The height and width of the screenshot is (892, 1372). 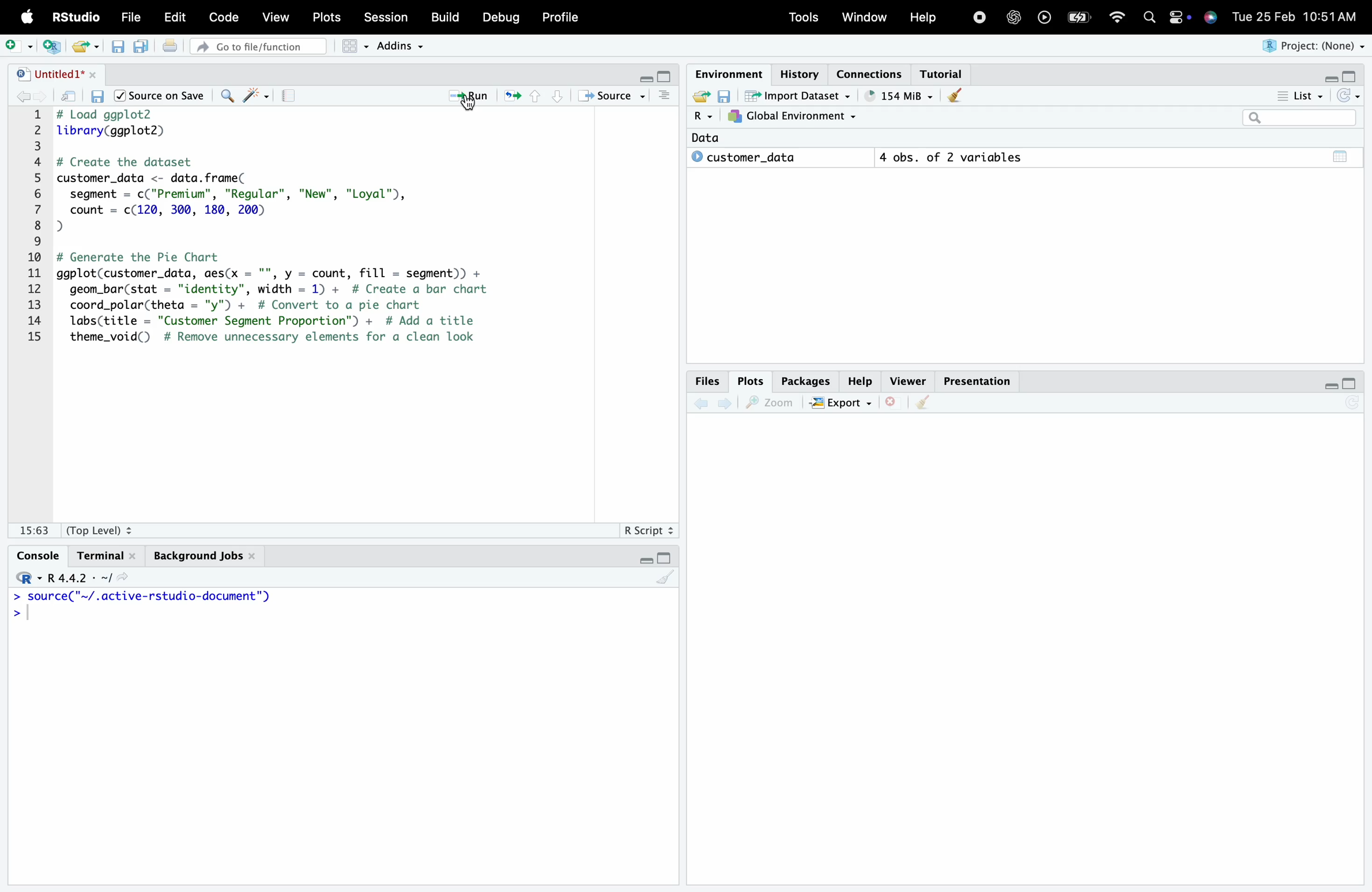 I want to click on RStudio, so click(x=74, y=16).